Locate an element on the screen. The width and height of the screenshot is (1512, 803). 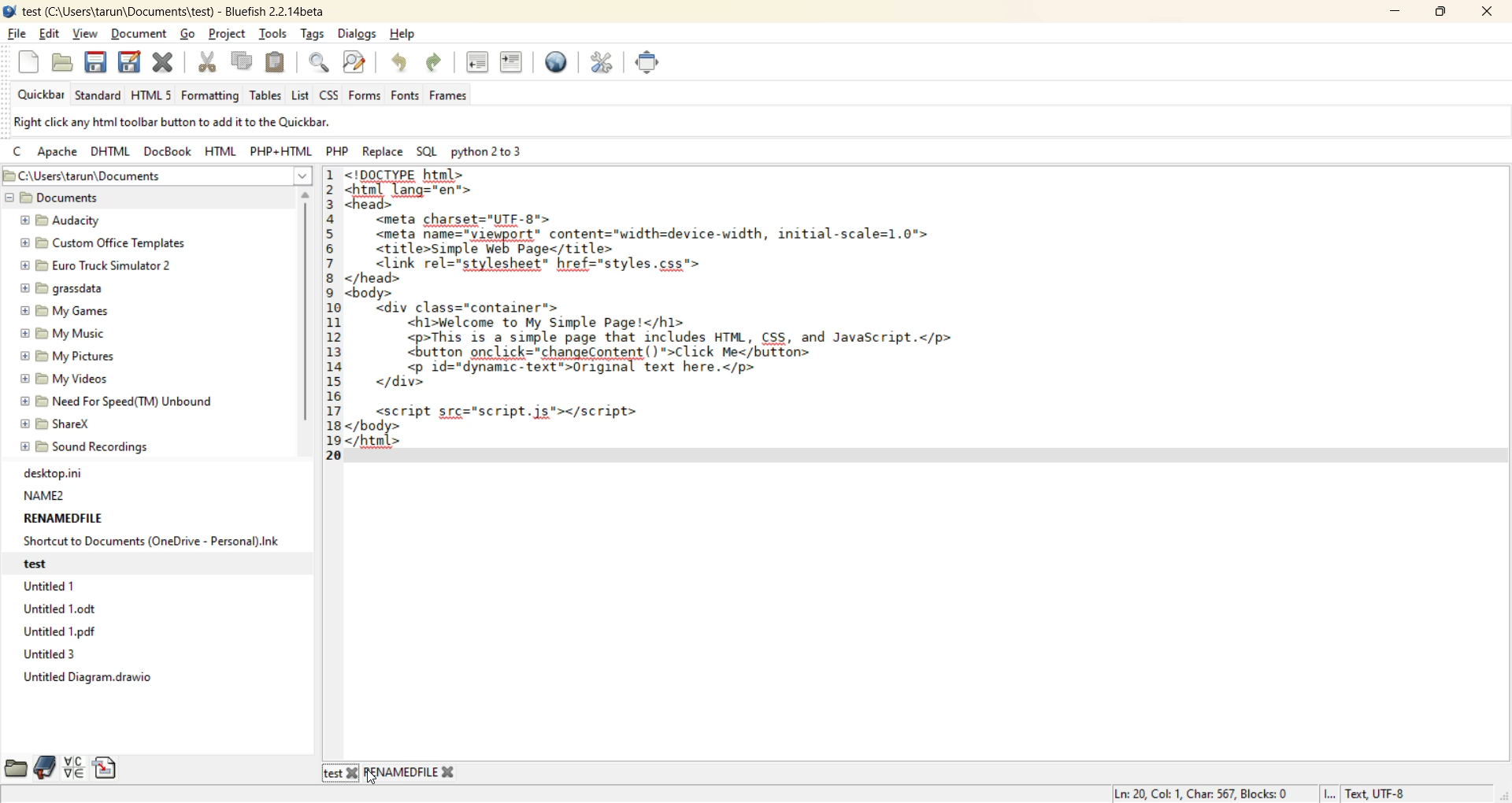
close file is located at coordinates (165, 63).